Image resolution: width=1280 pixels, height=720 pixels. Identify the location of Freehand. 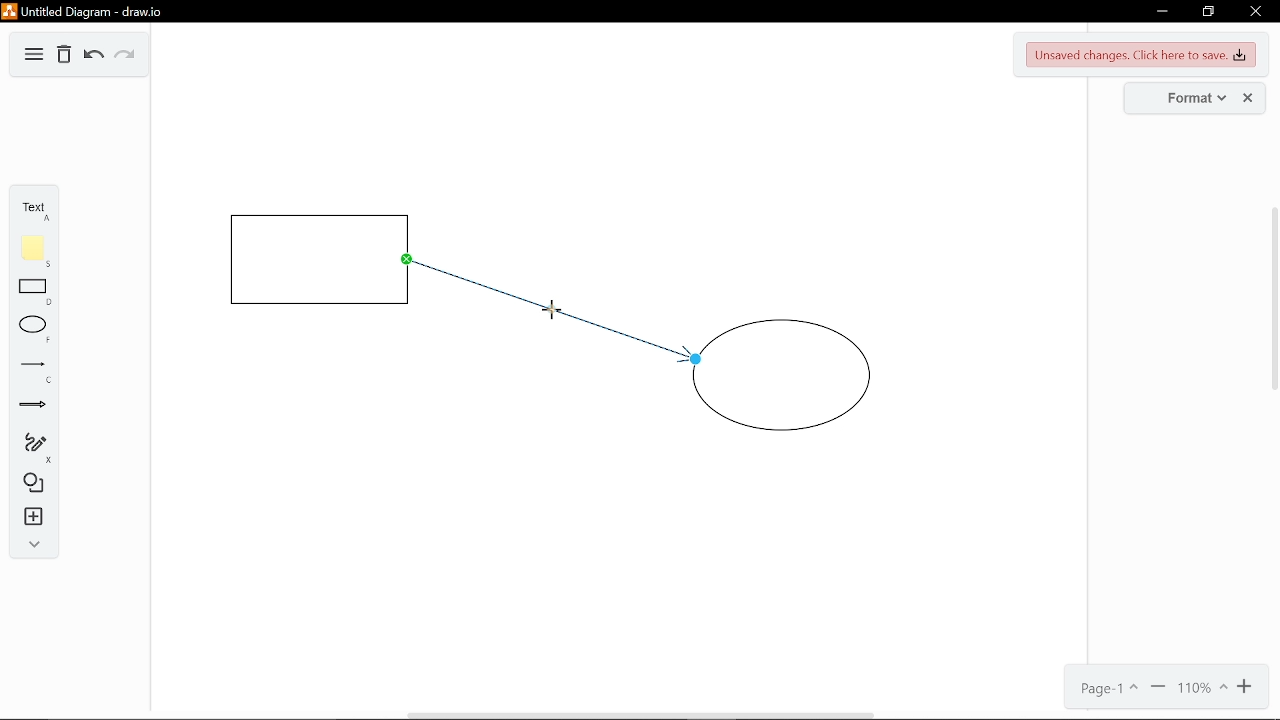
(30, 447).